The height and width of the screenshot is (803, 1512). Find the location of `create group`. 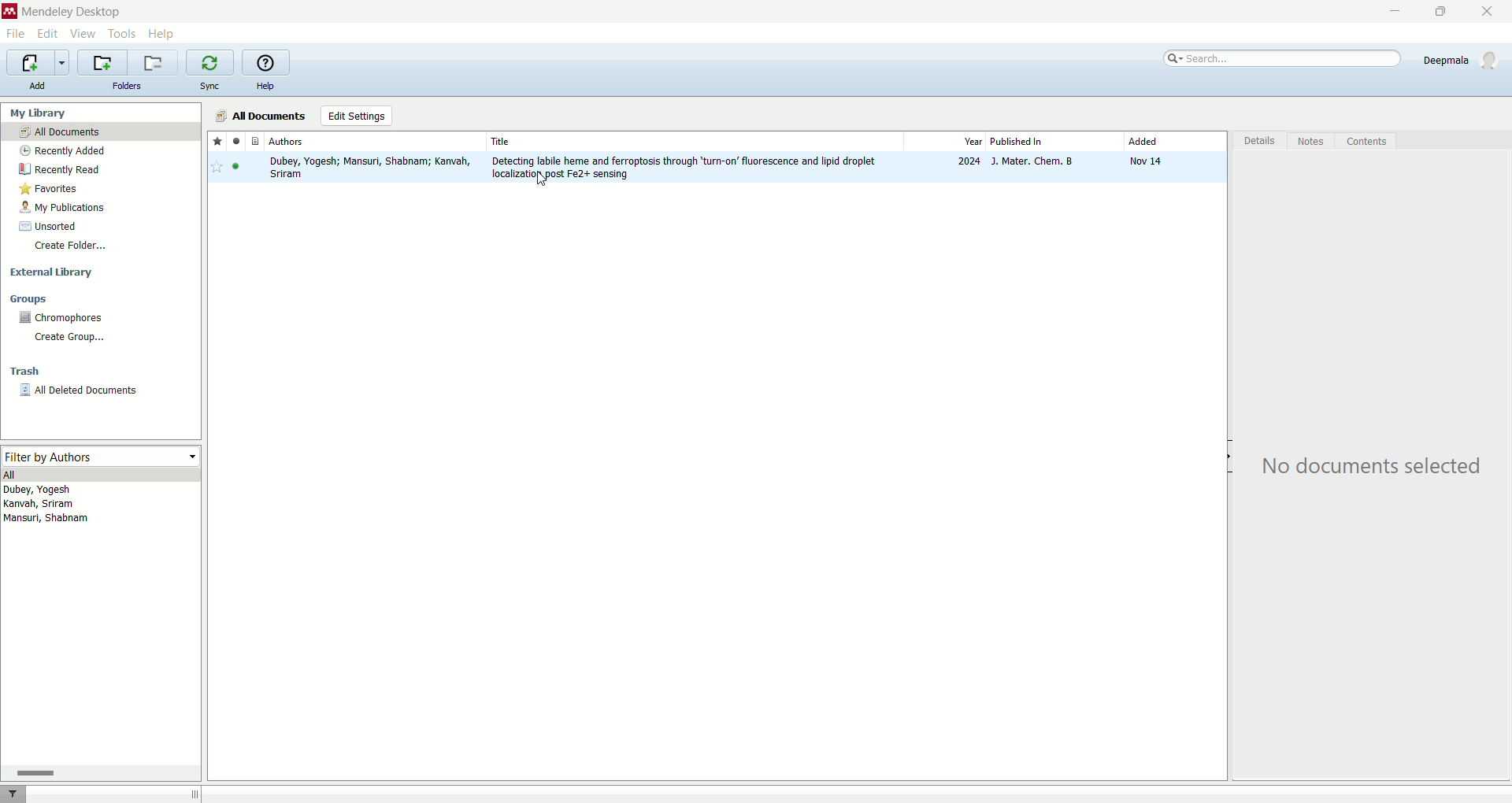

create group is located at coordinates (73, 339).